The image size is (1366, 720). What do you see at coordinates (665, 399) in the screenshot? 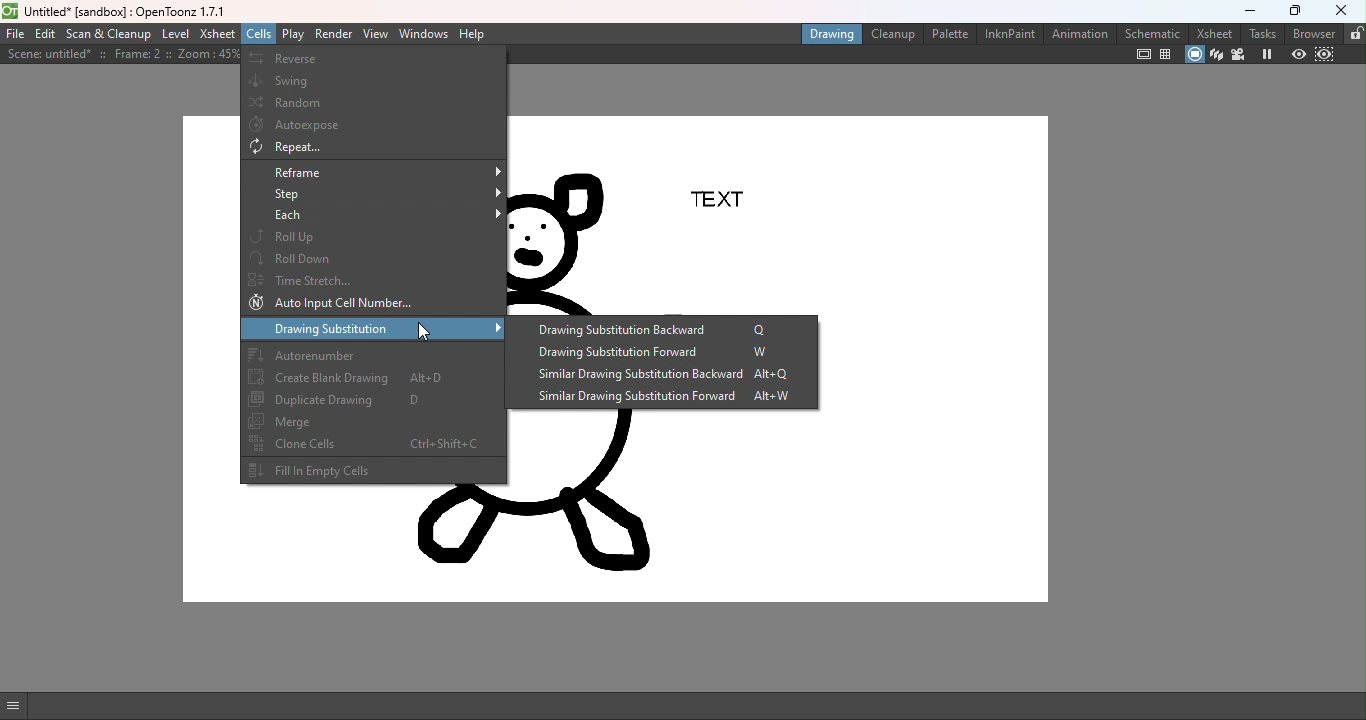
I see `Similar drawing substitution` at bounding box center [665, 399].